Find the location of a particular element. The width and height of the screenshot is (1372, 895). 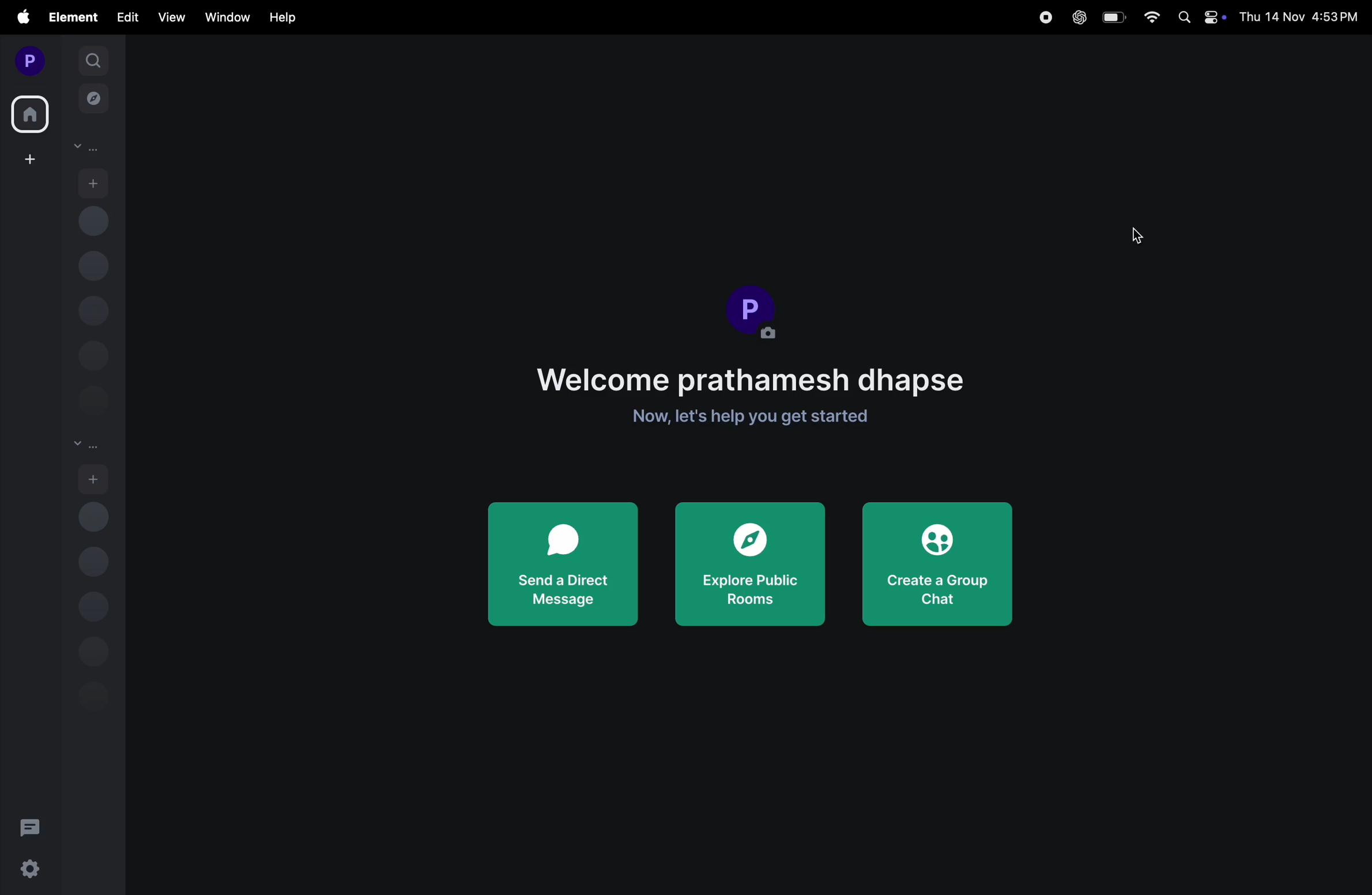

profile is located at coordinates (27, 60).